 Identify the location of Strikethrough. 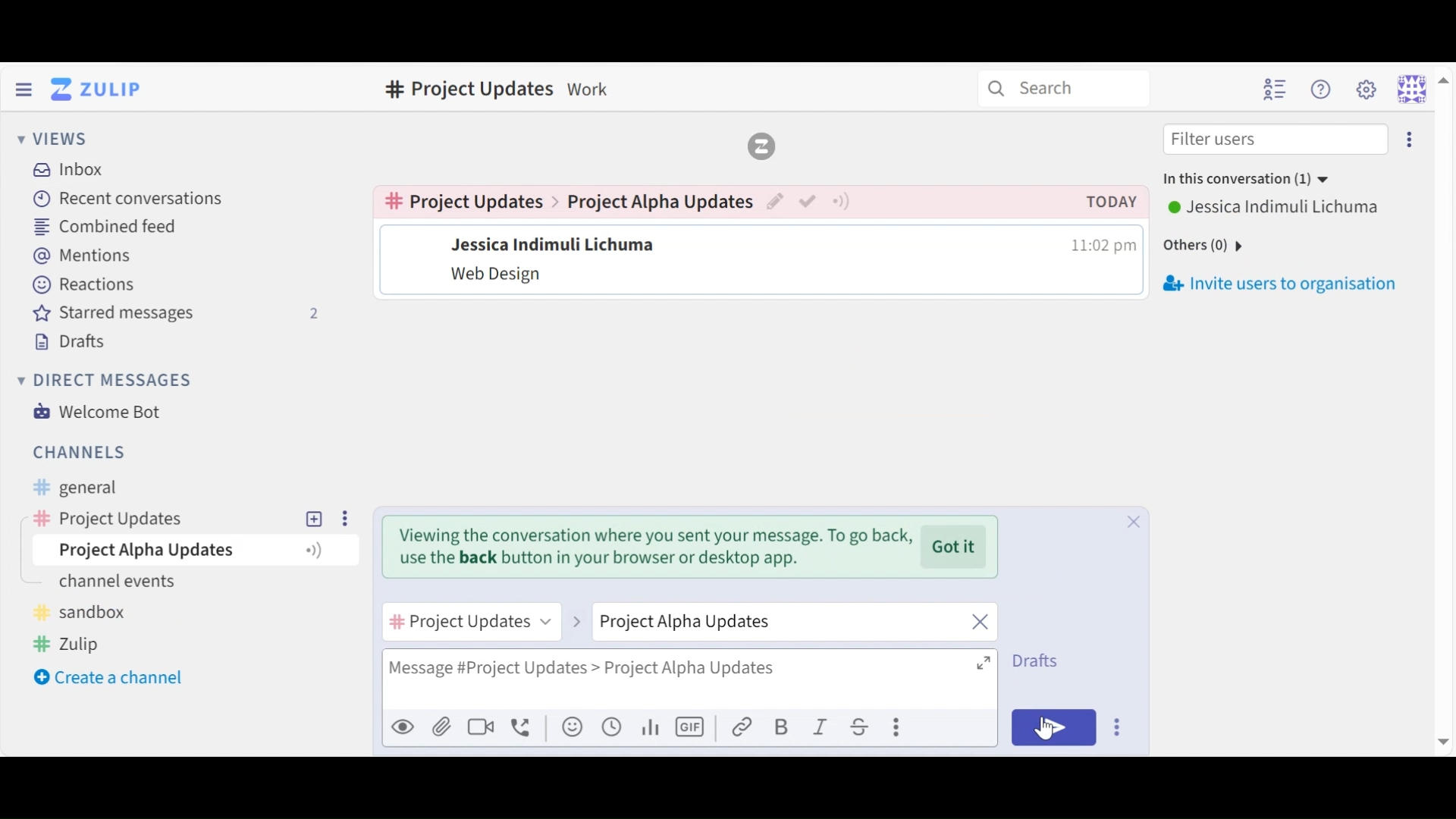
(862, 726).